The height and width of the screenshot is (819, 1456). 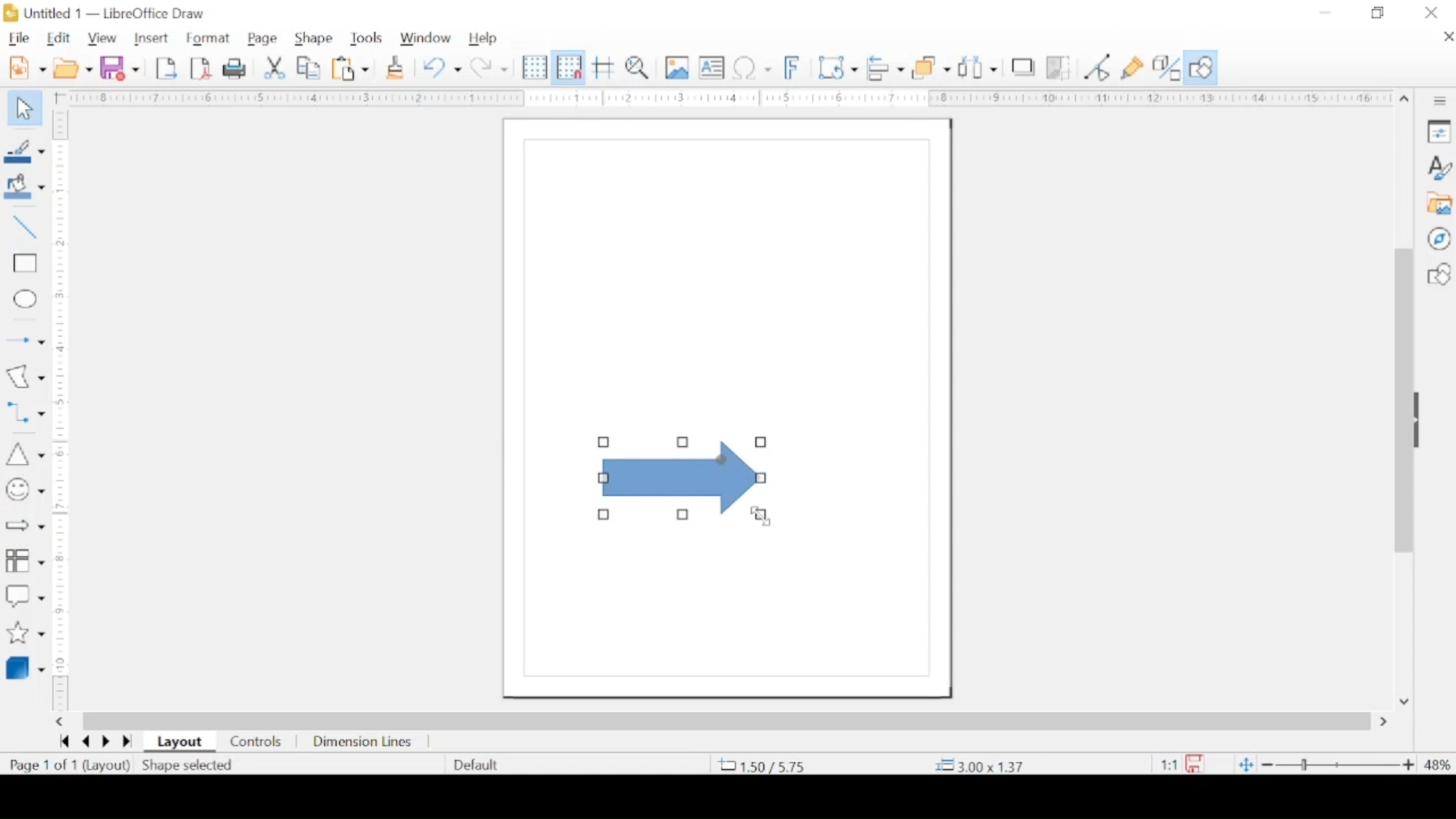 I want to click on export, so click(x=166, y=68).